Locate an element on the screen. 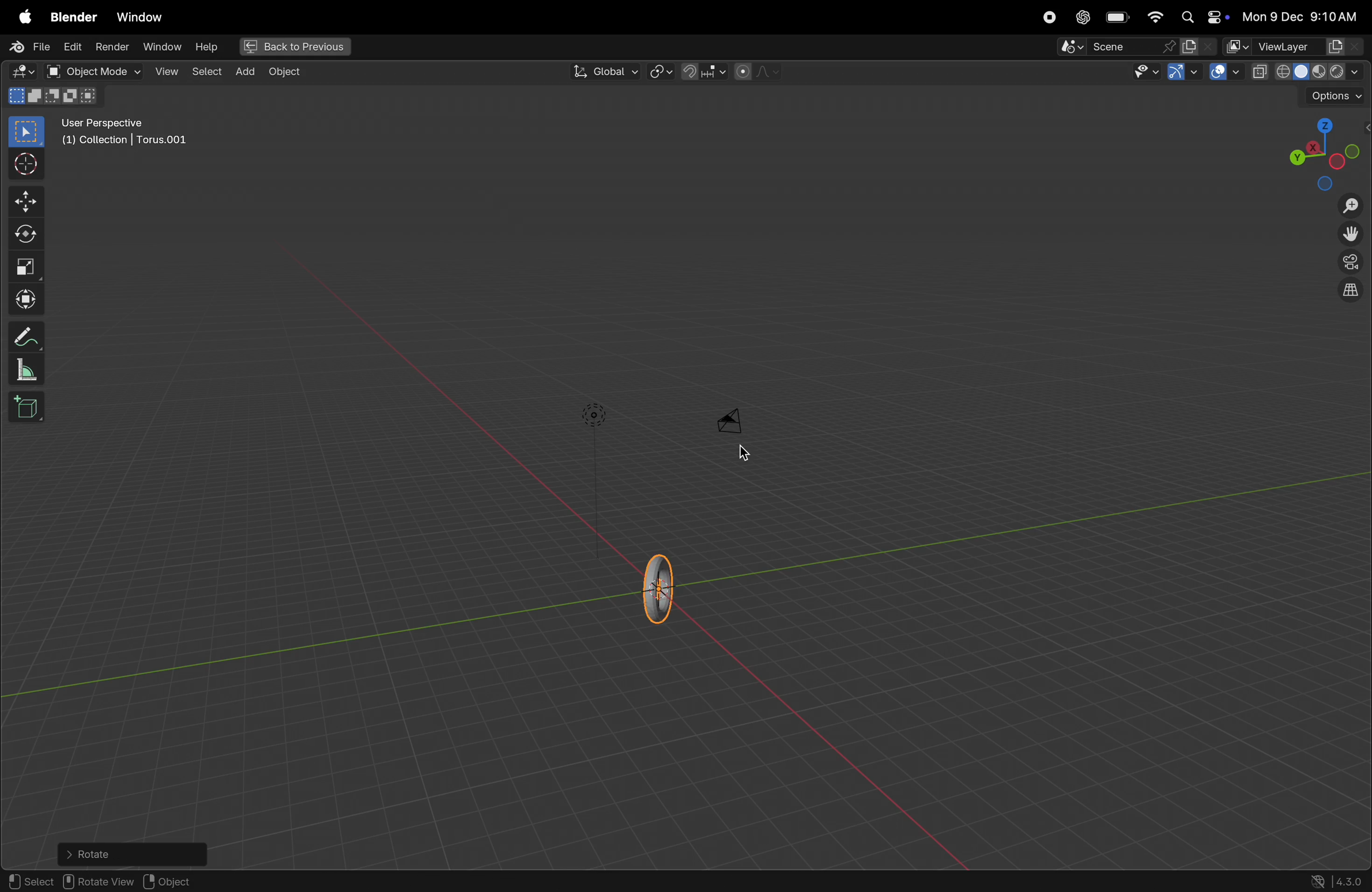 This screenshot has width=1372, height=892. date and time is located at coordinates (1304, 16).